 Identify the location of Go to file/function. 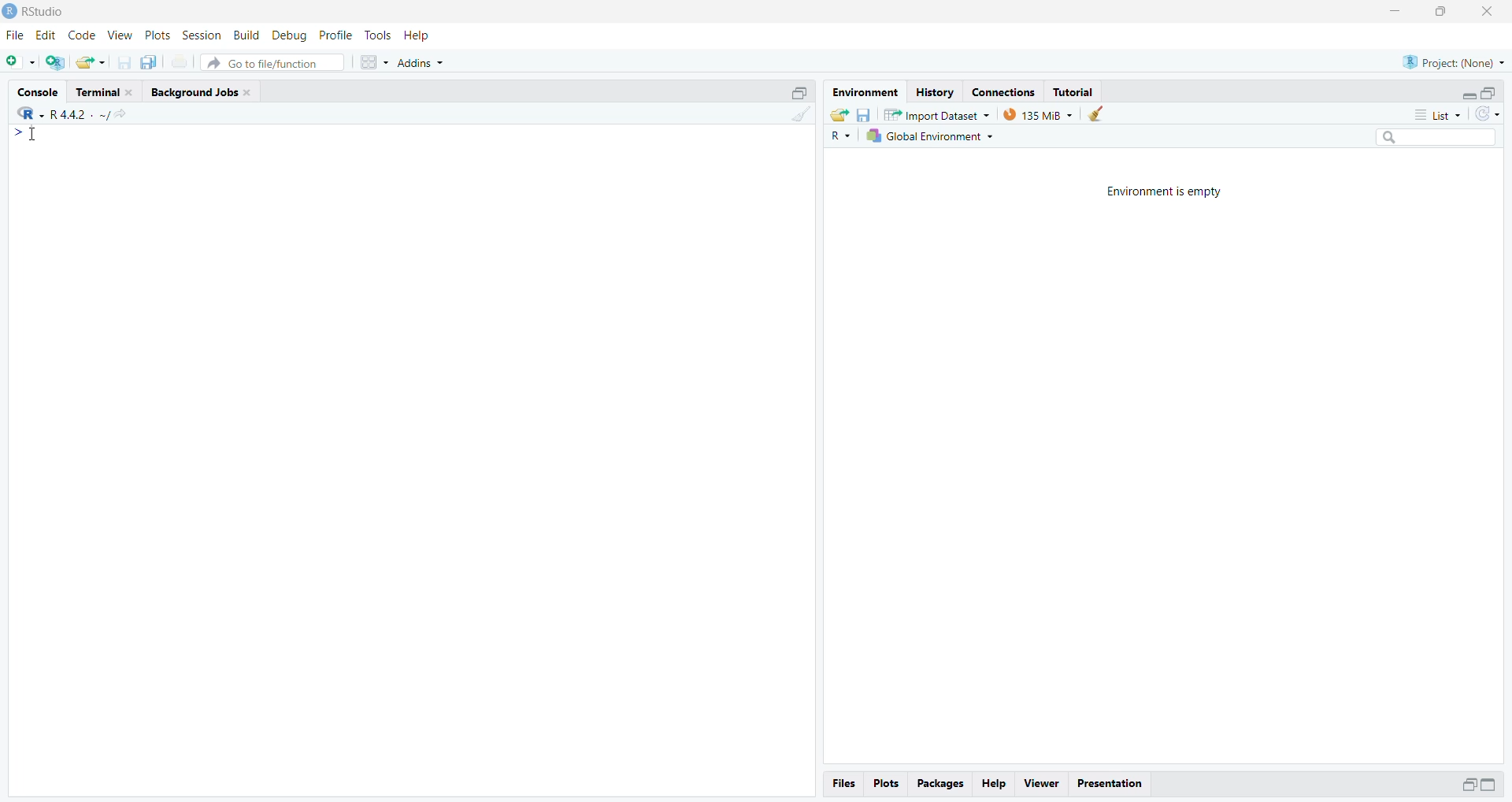
(274, 61).